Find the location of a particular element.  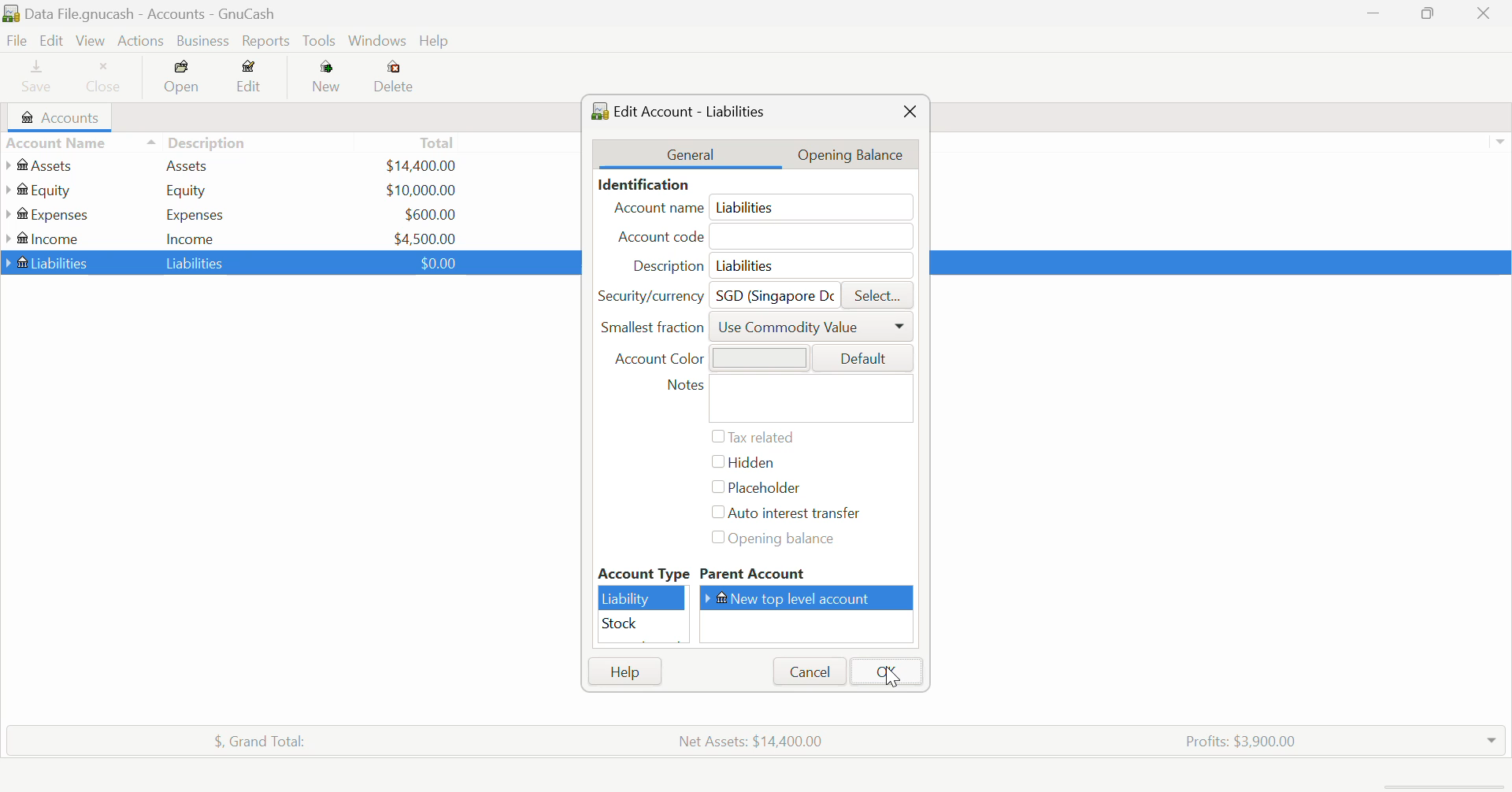

Tax related checkbox is located at coordinates (753, 437).